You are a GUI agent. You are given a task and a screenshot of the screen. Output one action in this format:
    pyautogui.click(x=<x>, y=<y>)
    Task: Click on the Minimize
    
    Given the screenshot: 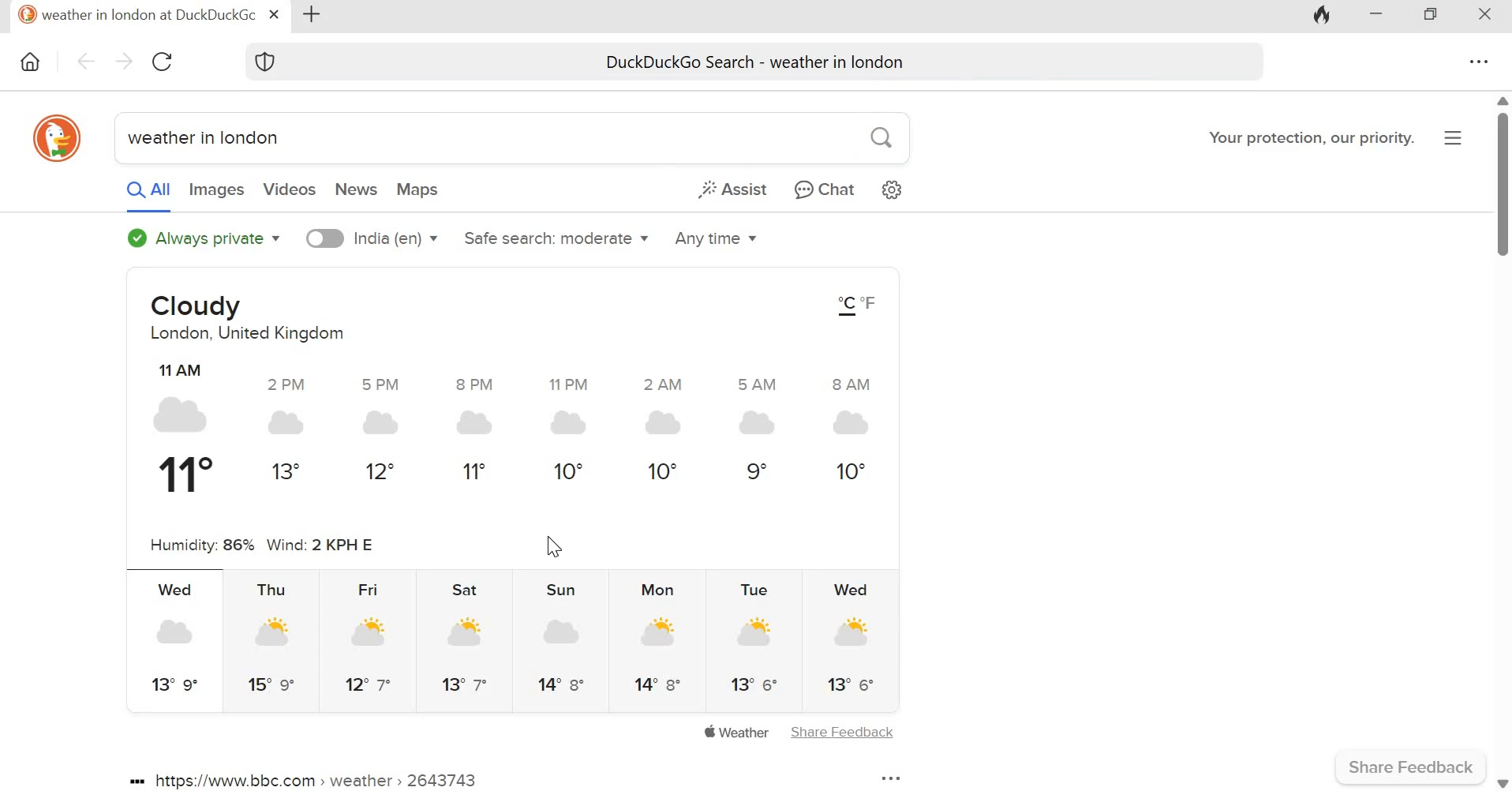 What is the action you would take?
    pyautogui.click(x=1378, y=17)
    